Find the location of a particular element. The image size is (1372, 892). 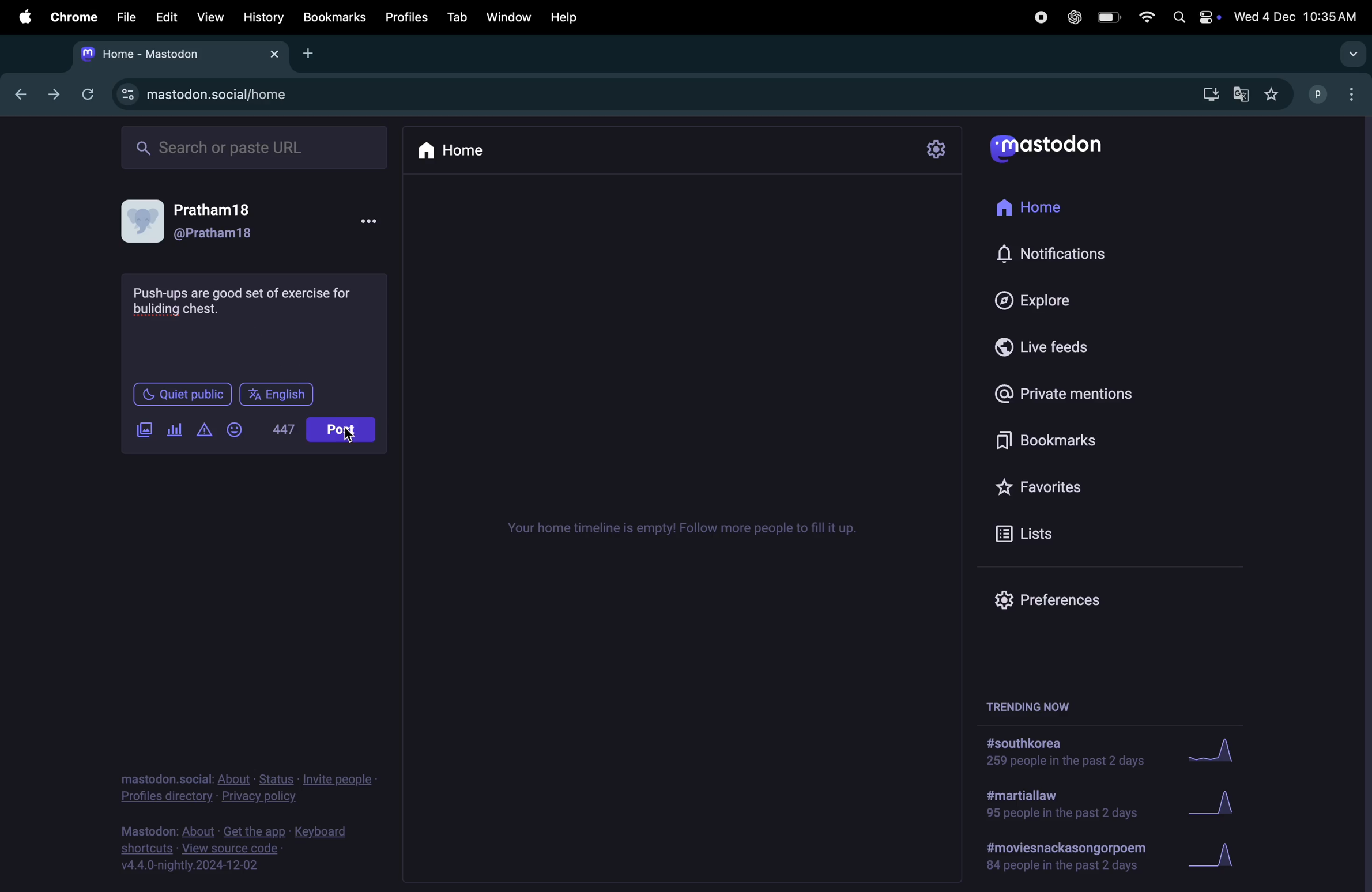

#movieandpoem is located at coordinates (1060, 856).